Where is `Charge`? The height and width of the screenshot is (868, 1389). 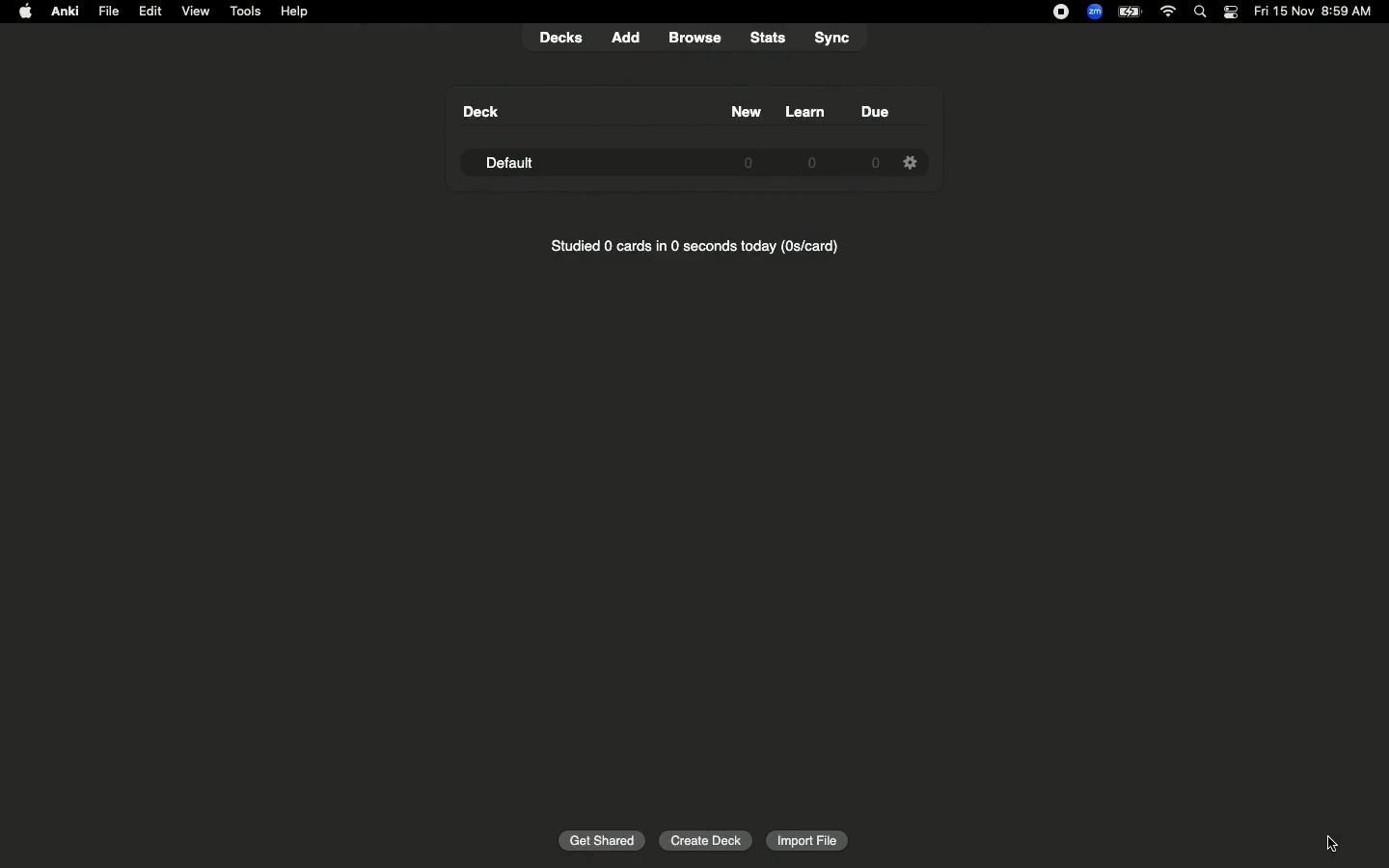 Charge is located at coordinates (1131, 12).